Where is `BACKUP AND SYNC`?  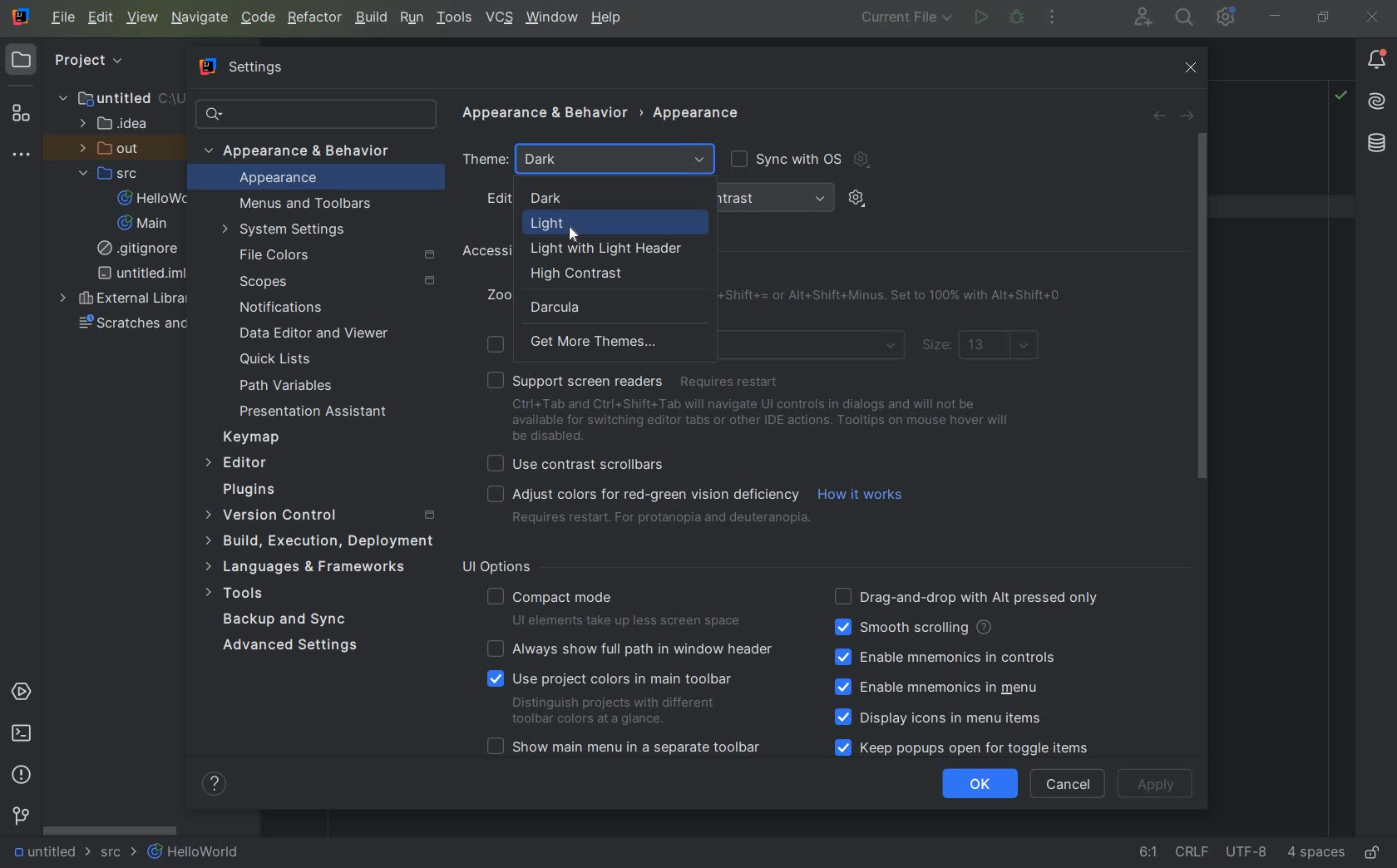
BACKUP AND SYNC is located at coordinates (287, 620).